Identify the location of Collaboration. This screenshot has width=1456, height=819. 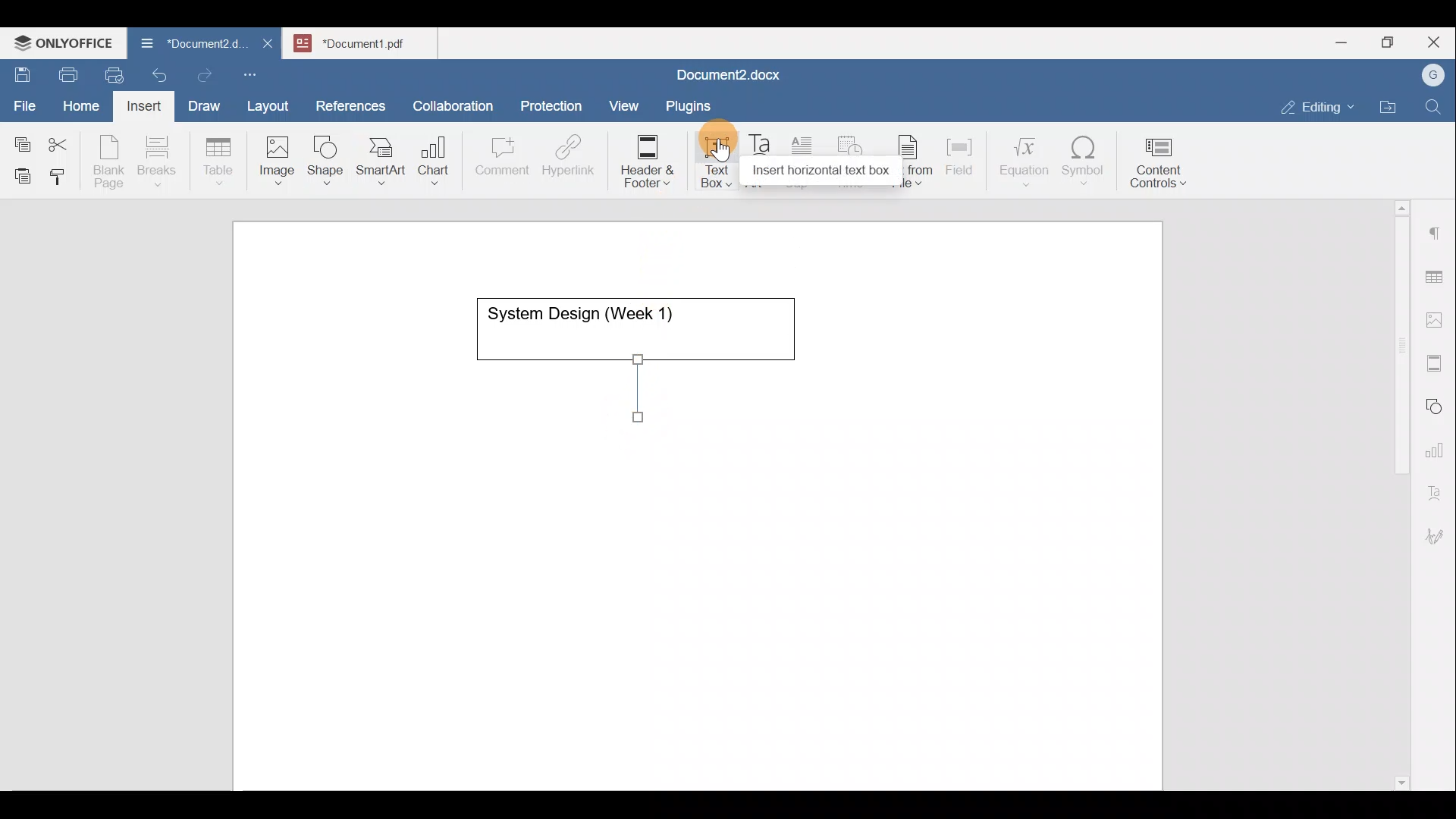
(450, 98).